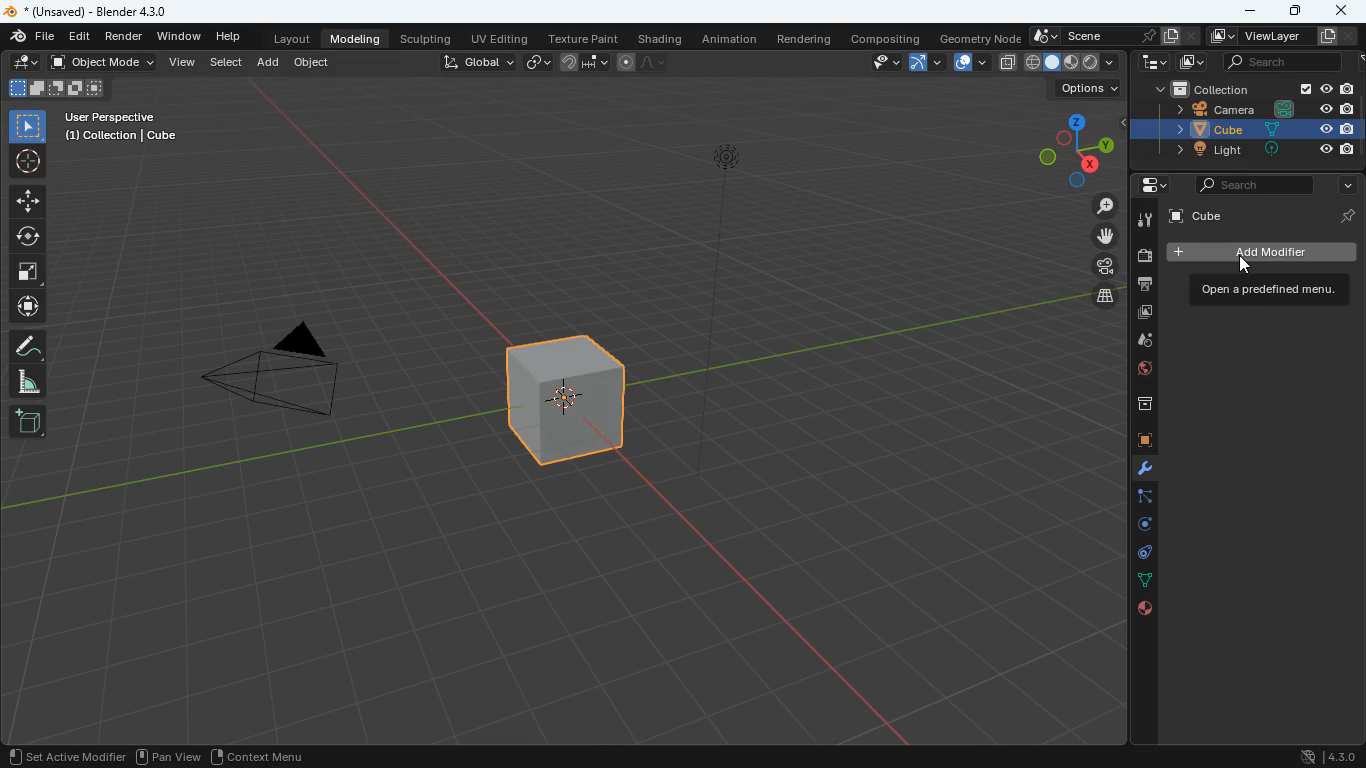  Describe the element at coordinates (727, 217) in the screenshot. I see `light` at that location.